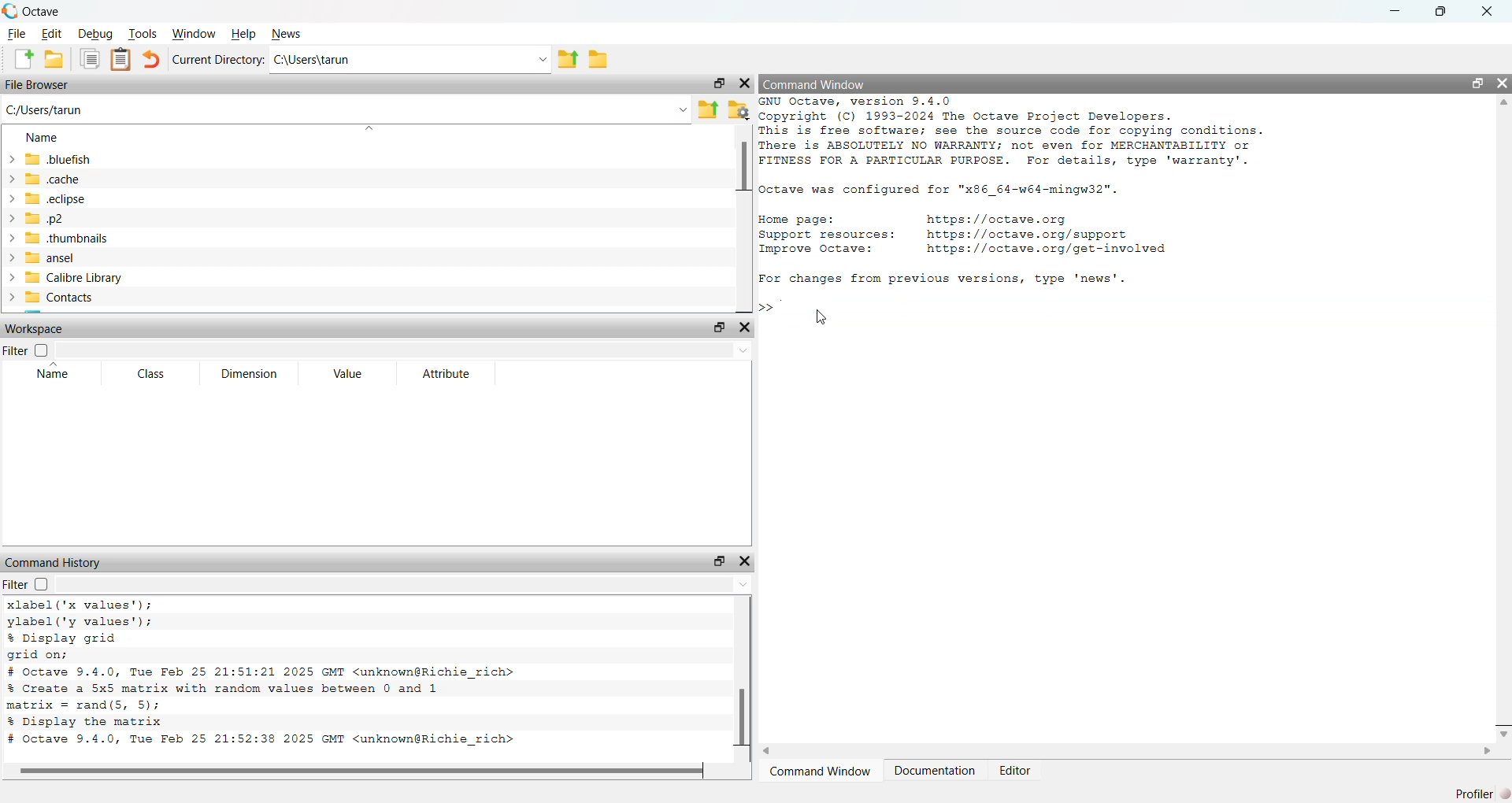  Describe the element at coordinates (1476, 83) in the screenshot. I see `maximise` at that location.